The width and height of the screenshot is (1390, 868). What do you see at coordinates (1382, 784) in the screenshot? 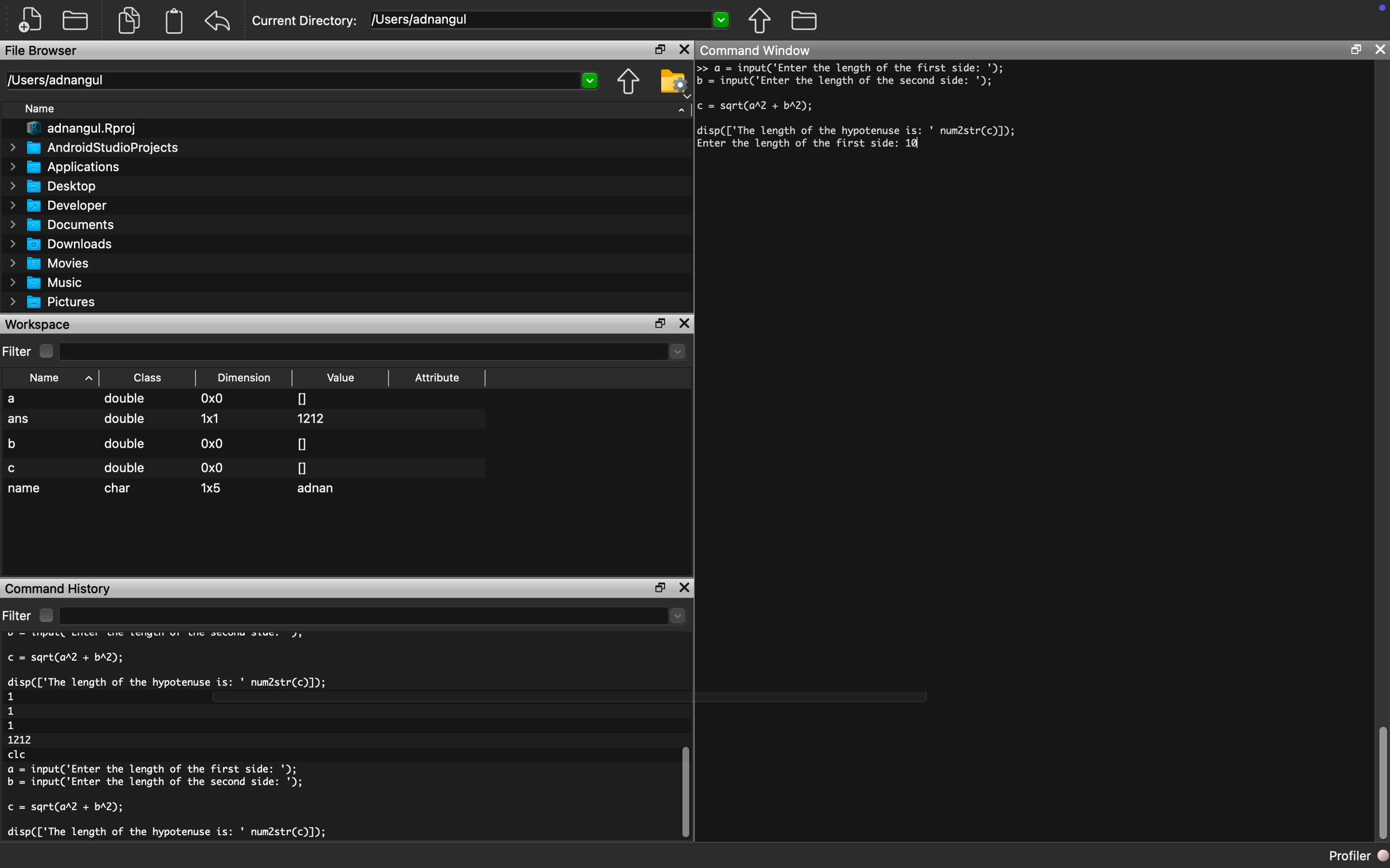
I see `vertical scroll bar` at bounding box center [1382, 784].